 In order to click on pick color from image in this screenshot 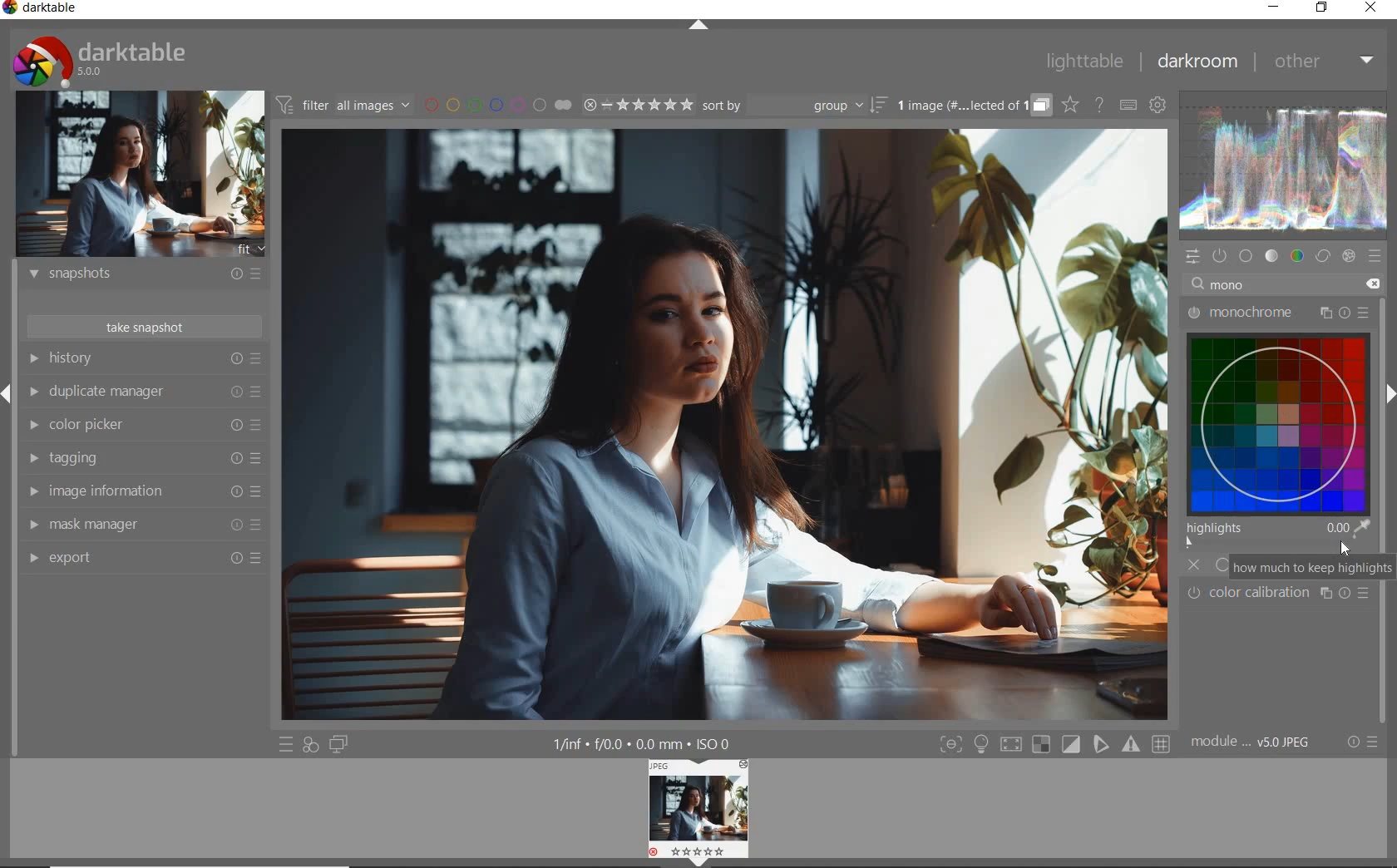, I will do `click(1362, 528)`.